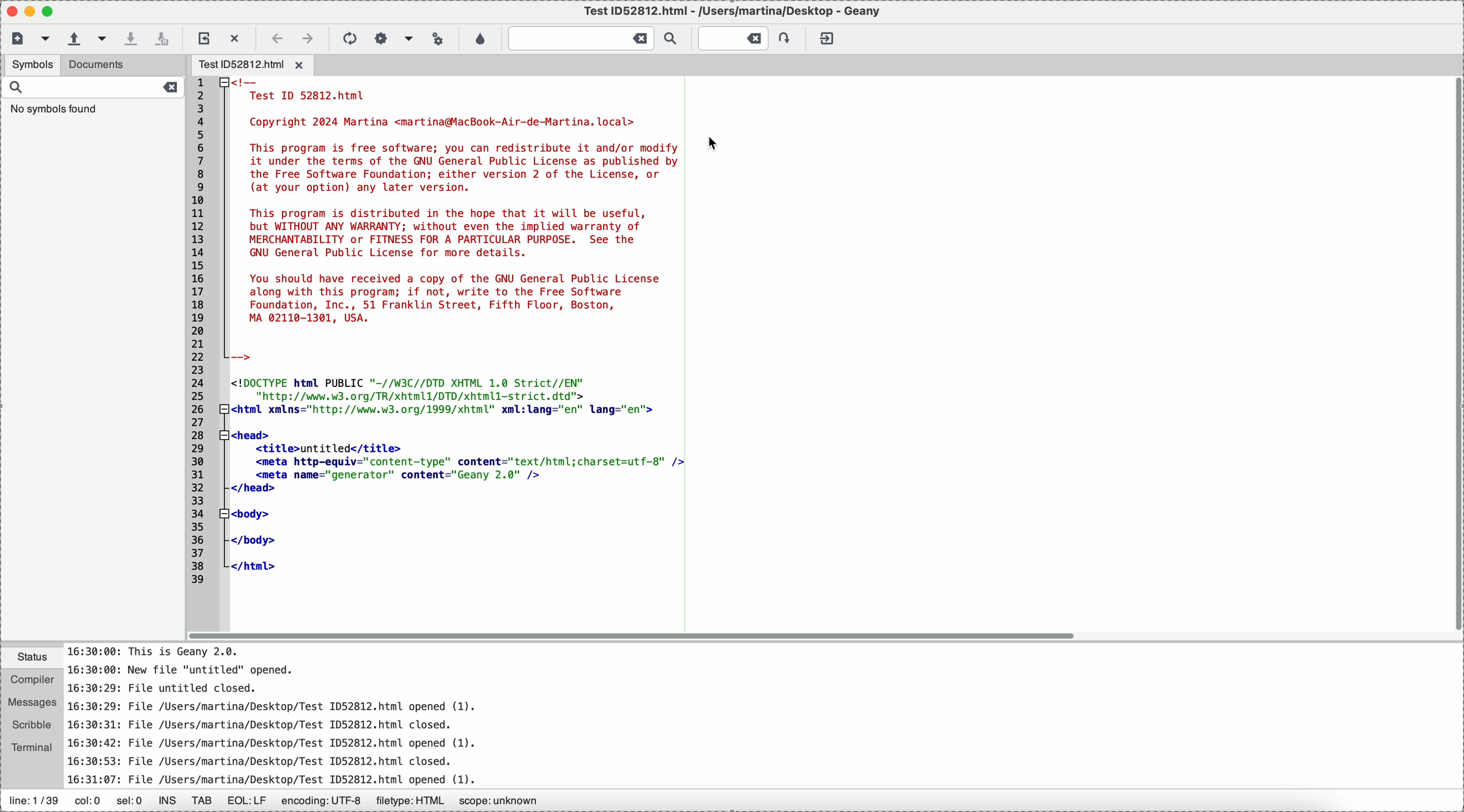  Describe the element at coordinates (275, 39) in the screenshot. I see `navigate back` at that location.